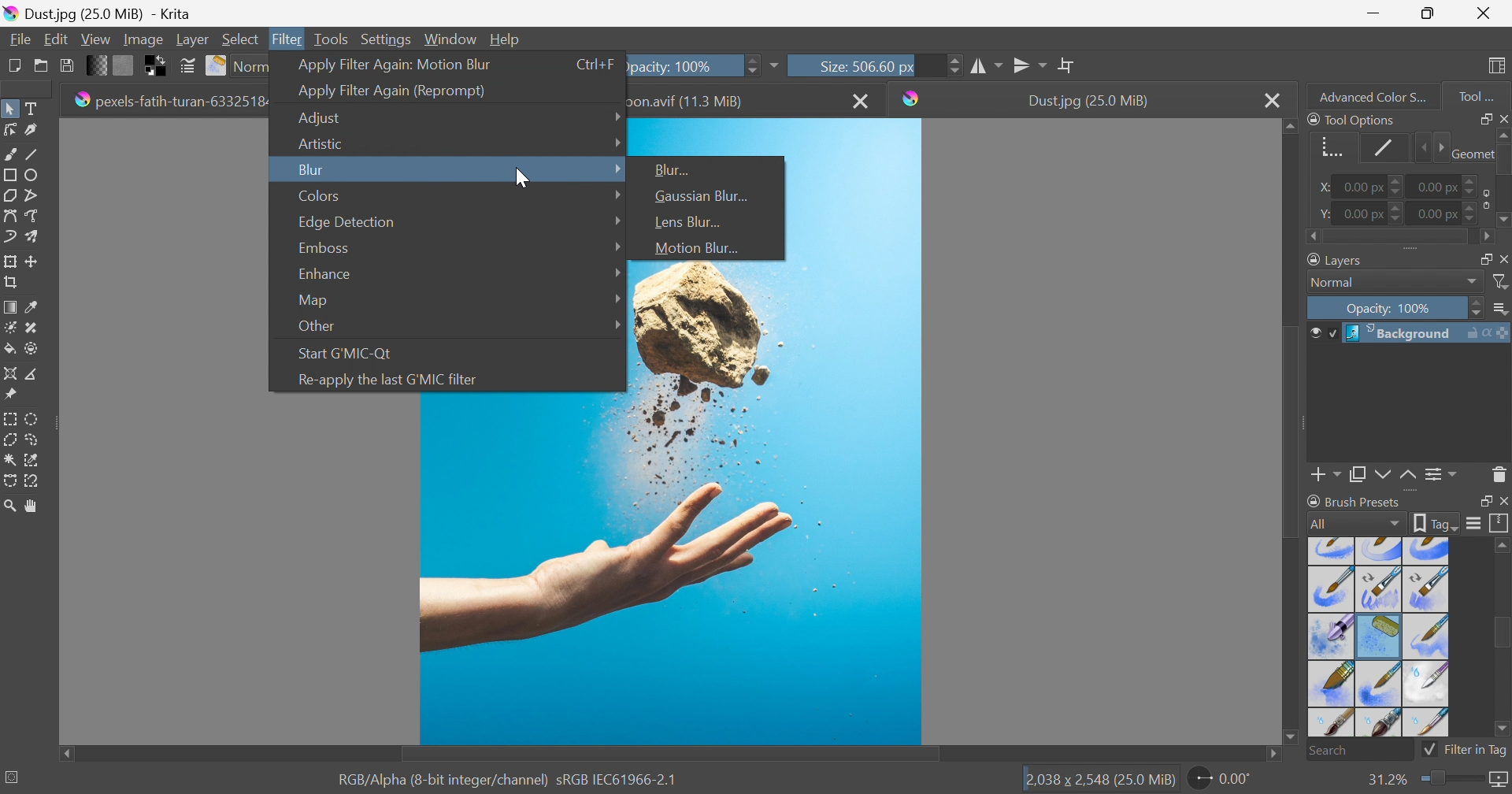 The width and height of the screenshot is (1512, 794). Describe the element at coordinates (33, 418) in the screenshot. I see `Elliptical selection tool` at that location.